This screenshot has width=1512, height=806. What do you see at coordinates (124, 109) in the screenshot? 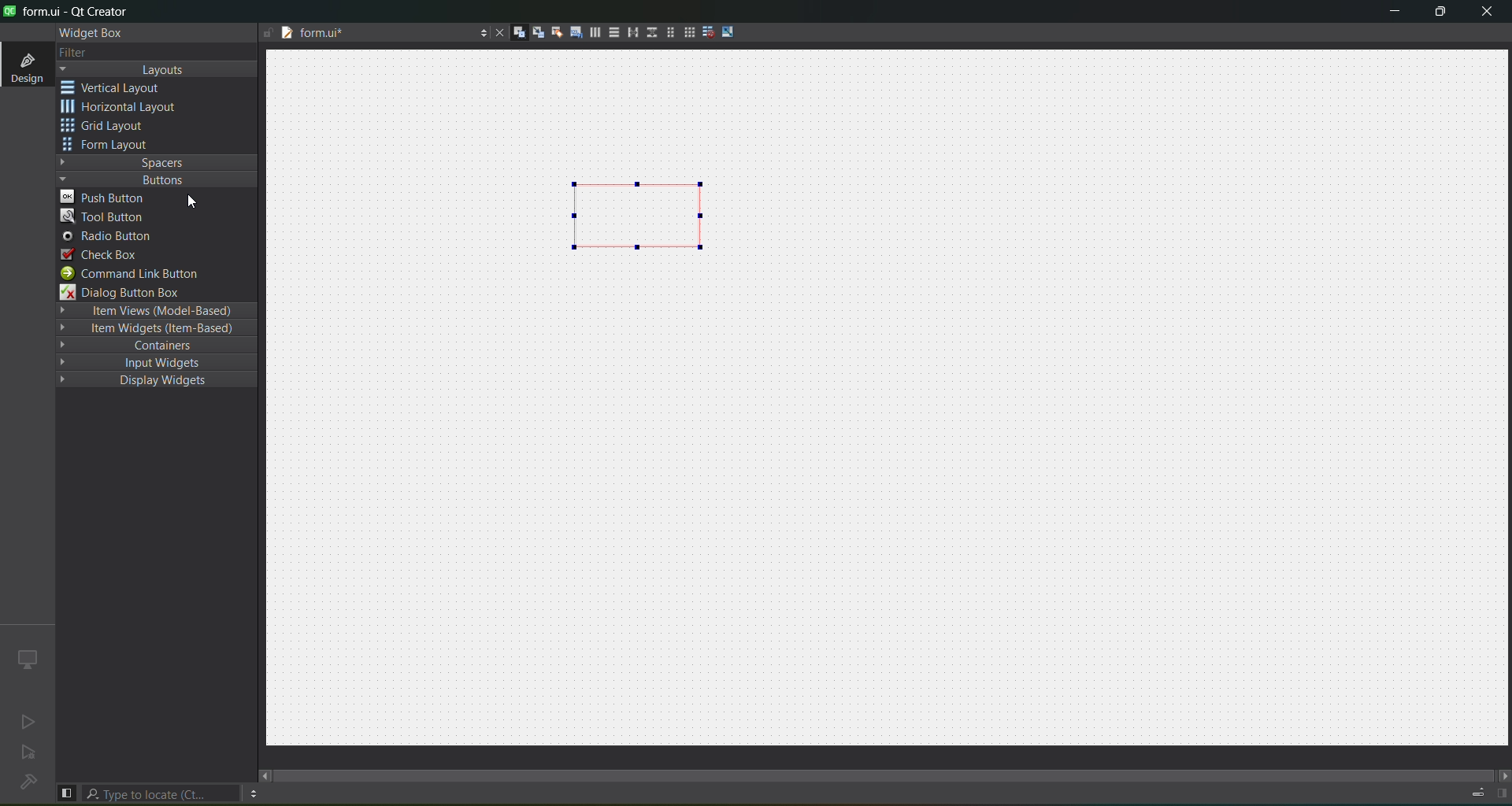
I see `horizontal layout` at bounding box center [124, 109].